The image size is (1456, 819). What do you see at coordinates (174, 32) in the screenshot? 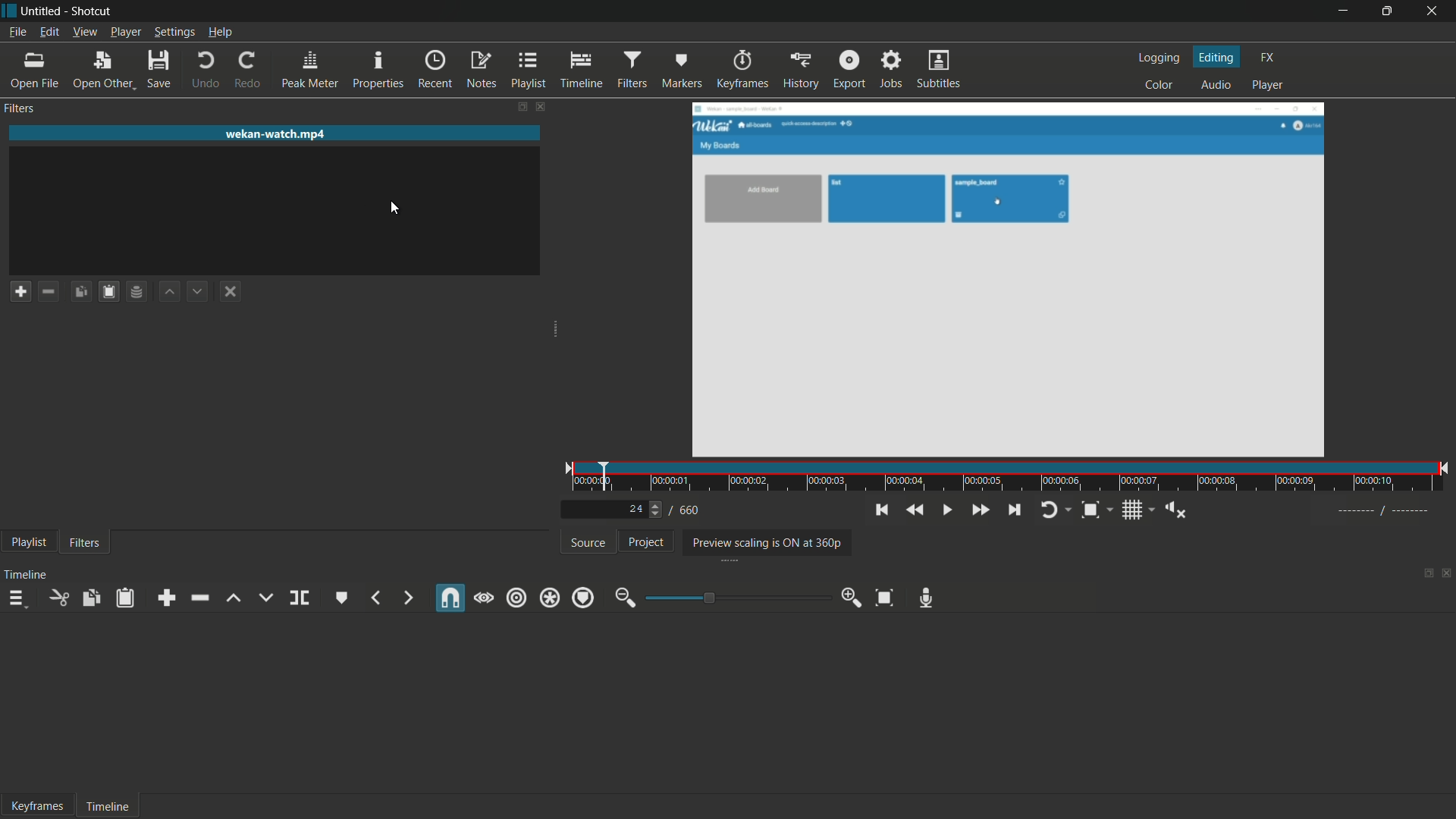
I see `settings menu` at bounding box center [174, 32].